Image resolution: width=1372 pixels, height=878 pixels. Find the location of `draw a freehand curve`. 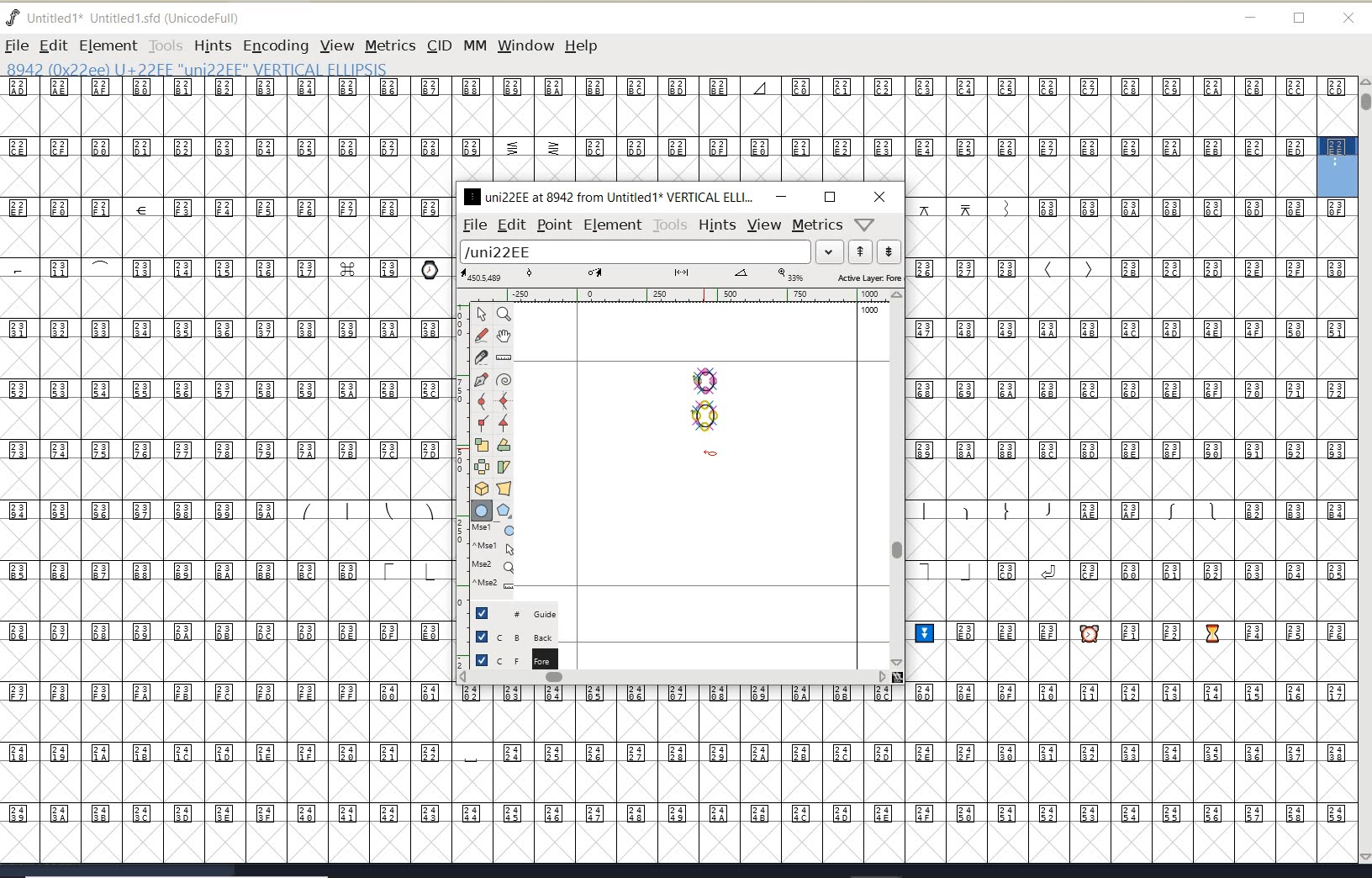

draw a freehand curve is located at coordinates (483, 335).